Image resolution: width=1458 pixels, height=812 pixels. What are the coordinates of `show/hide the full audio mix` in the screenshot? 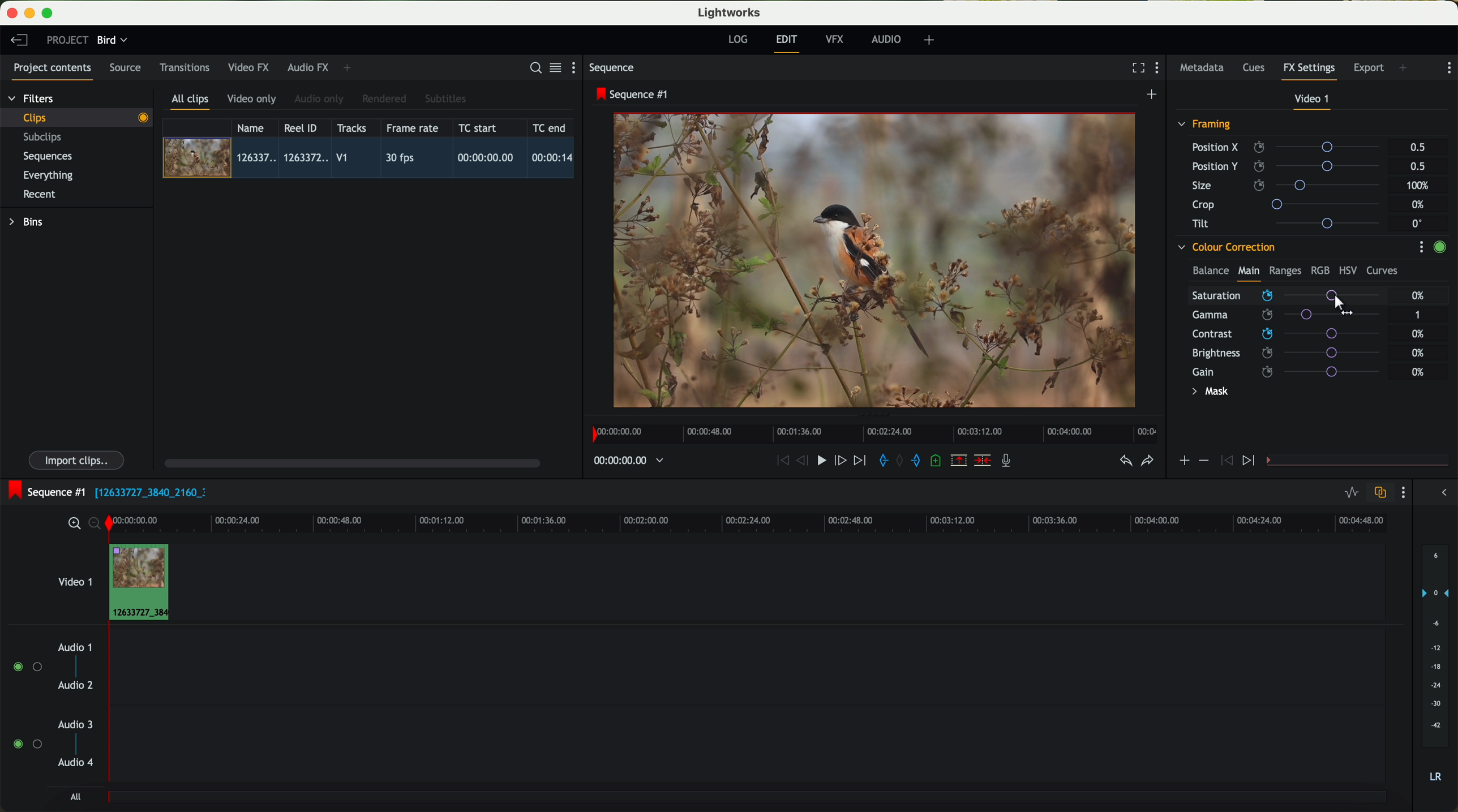 It's located at (1440, 493).